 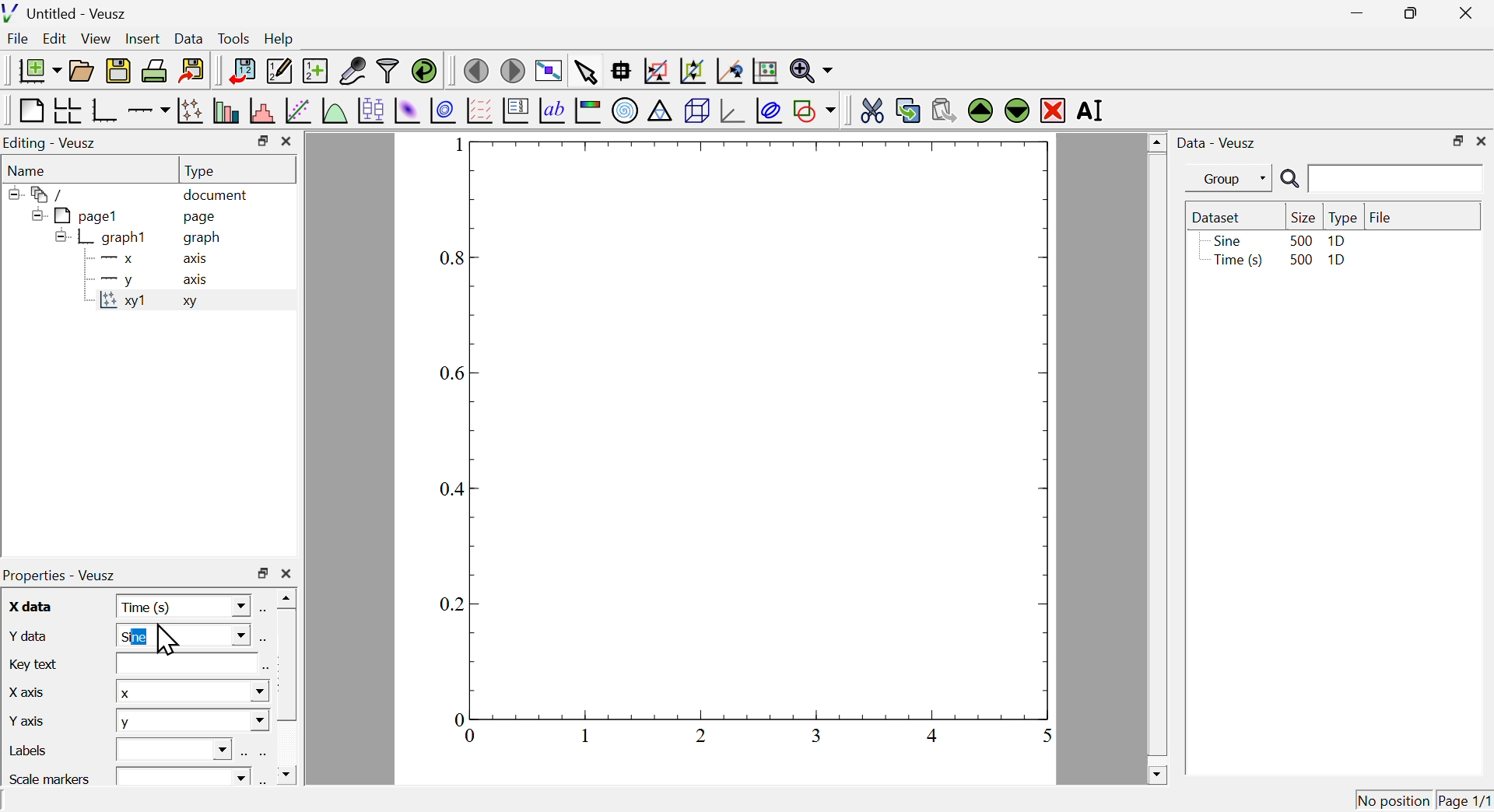 I want to click on 1, so click(x=1039, y=736).